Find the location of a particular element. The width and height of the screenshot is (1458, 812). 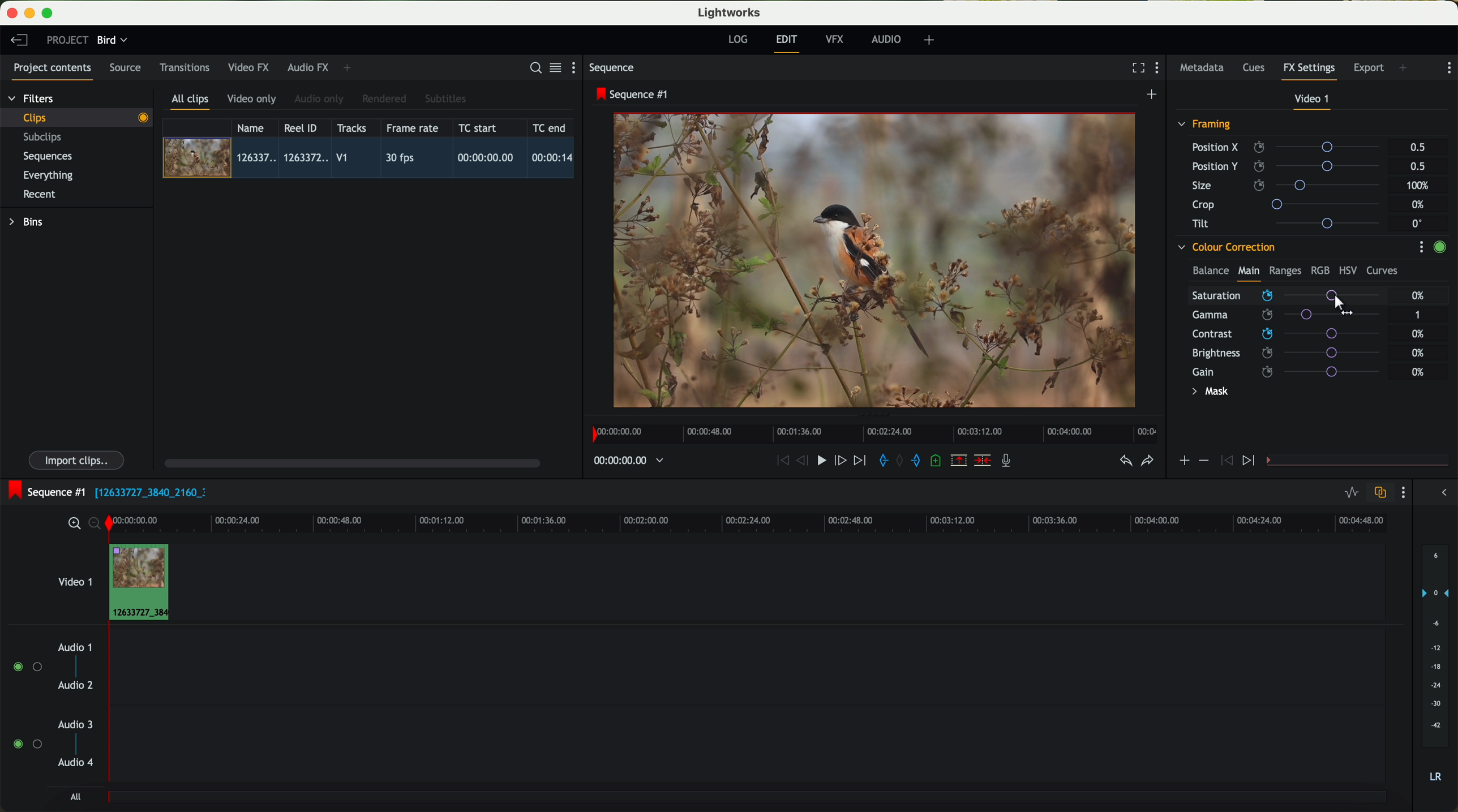

show settings menu is located at coordinates (578, 67).